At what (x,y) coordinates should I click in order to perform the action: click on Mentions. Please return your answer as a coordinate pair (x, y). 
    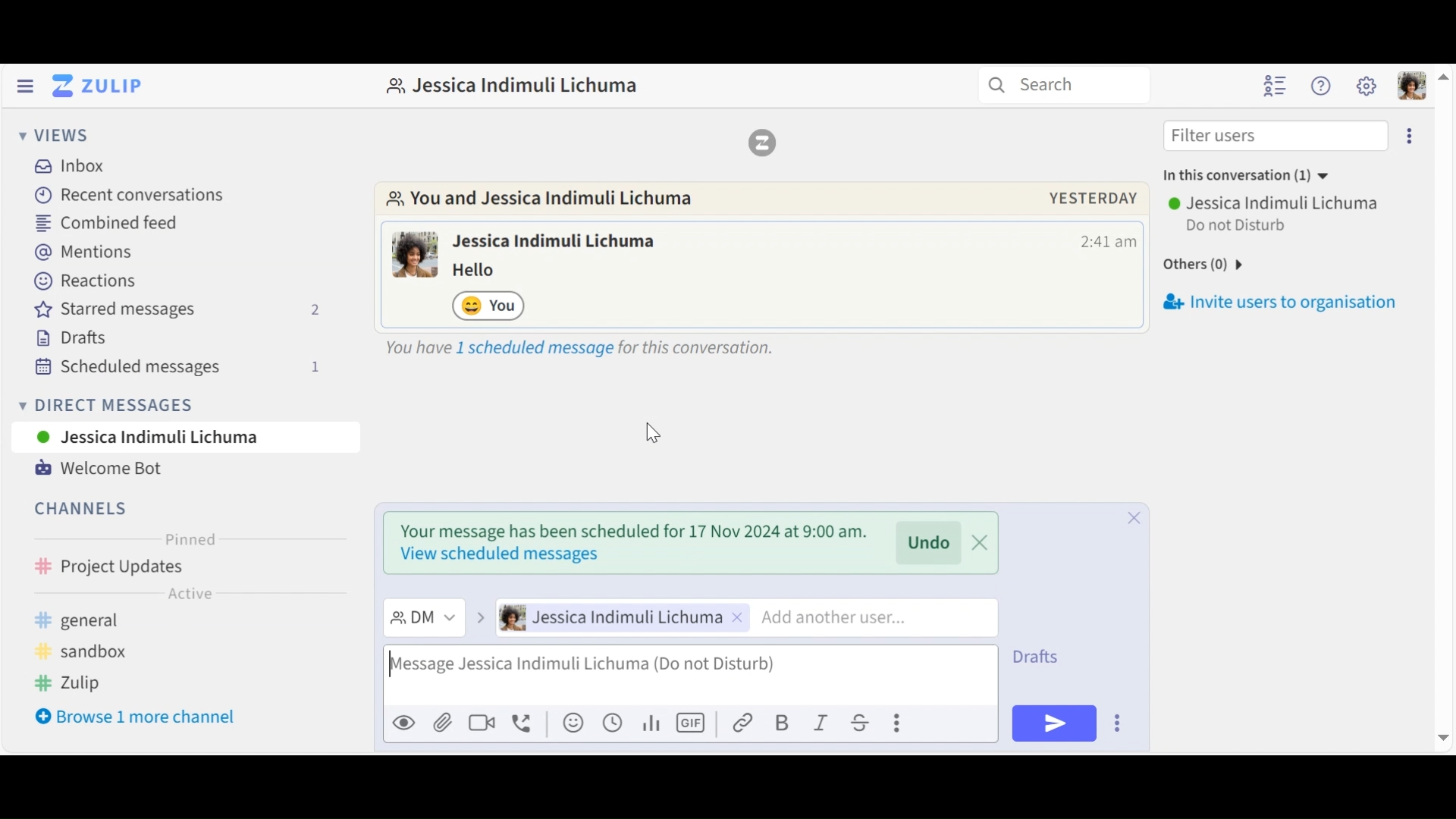
    Looking at the image, I should click on (86, 253).